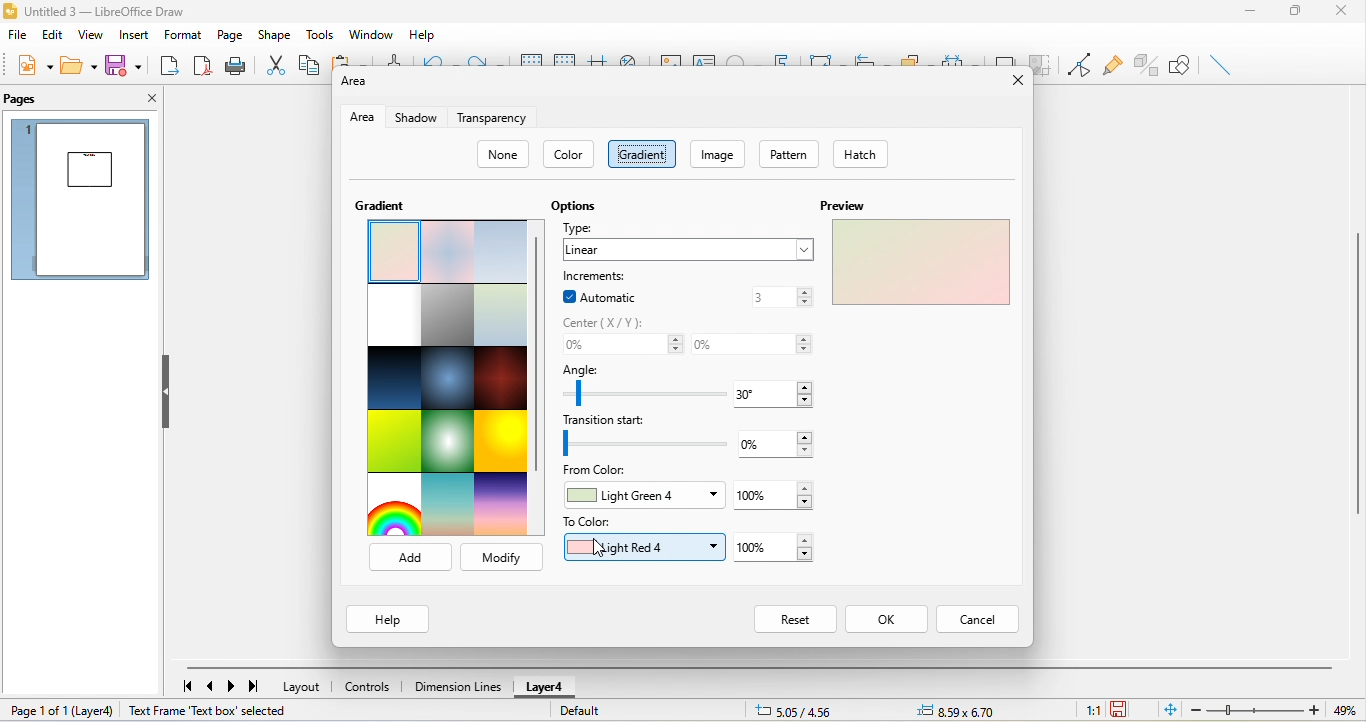 The image size is (1366, 722). Describe the element at coordinates (368, 688) in the screenshot. I see `controls` at that location.